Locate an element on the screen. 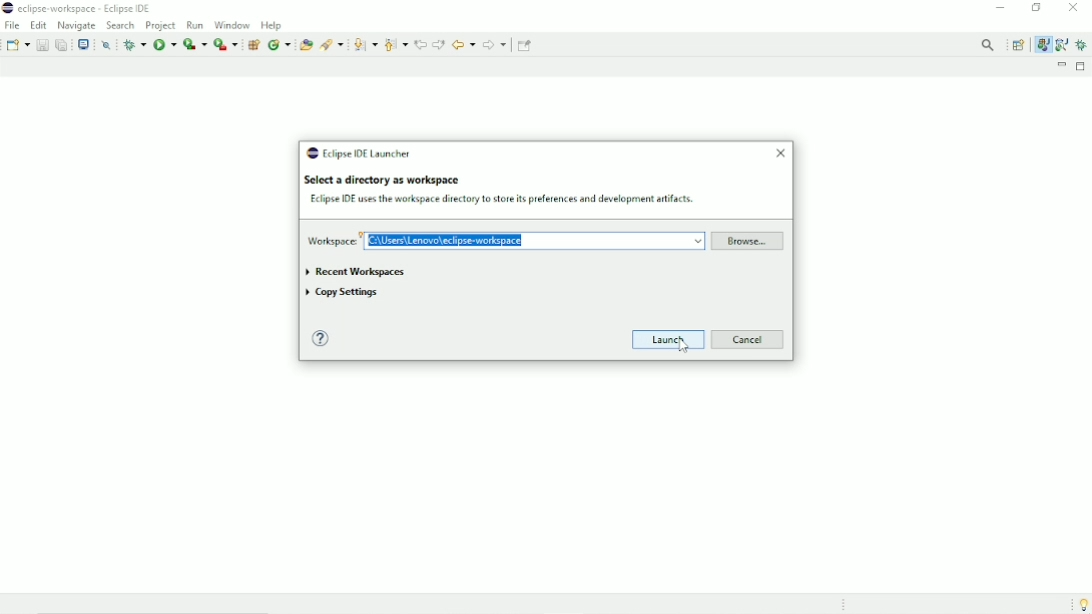 This screenshot has height=614, width=1092. Search is located at coordinates (120, 26).